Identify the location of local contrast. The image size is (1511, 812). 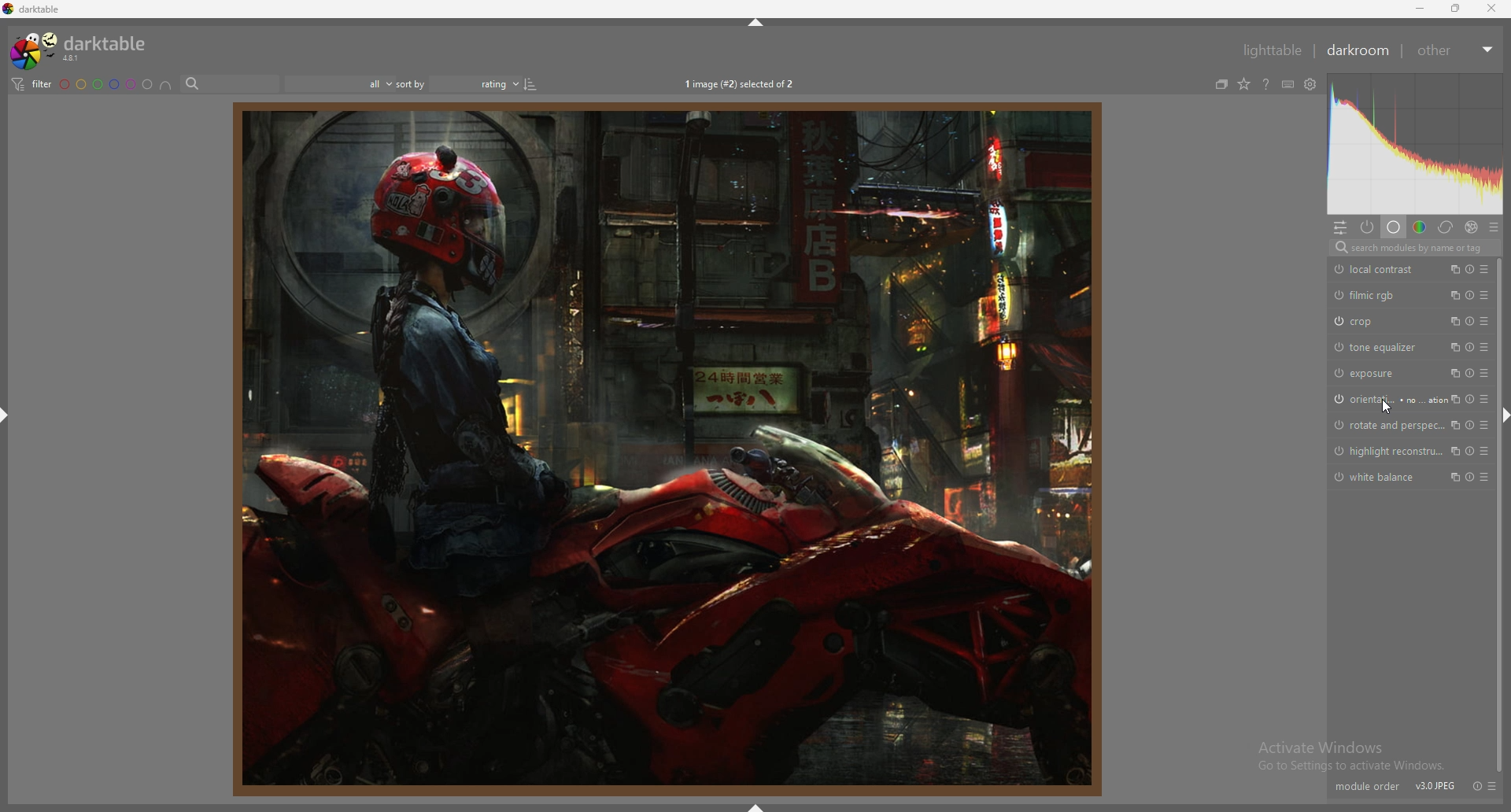
(1377, 270).